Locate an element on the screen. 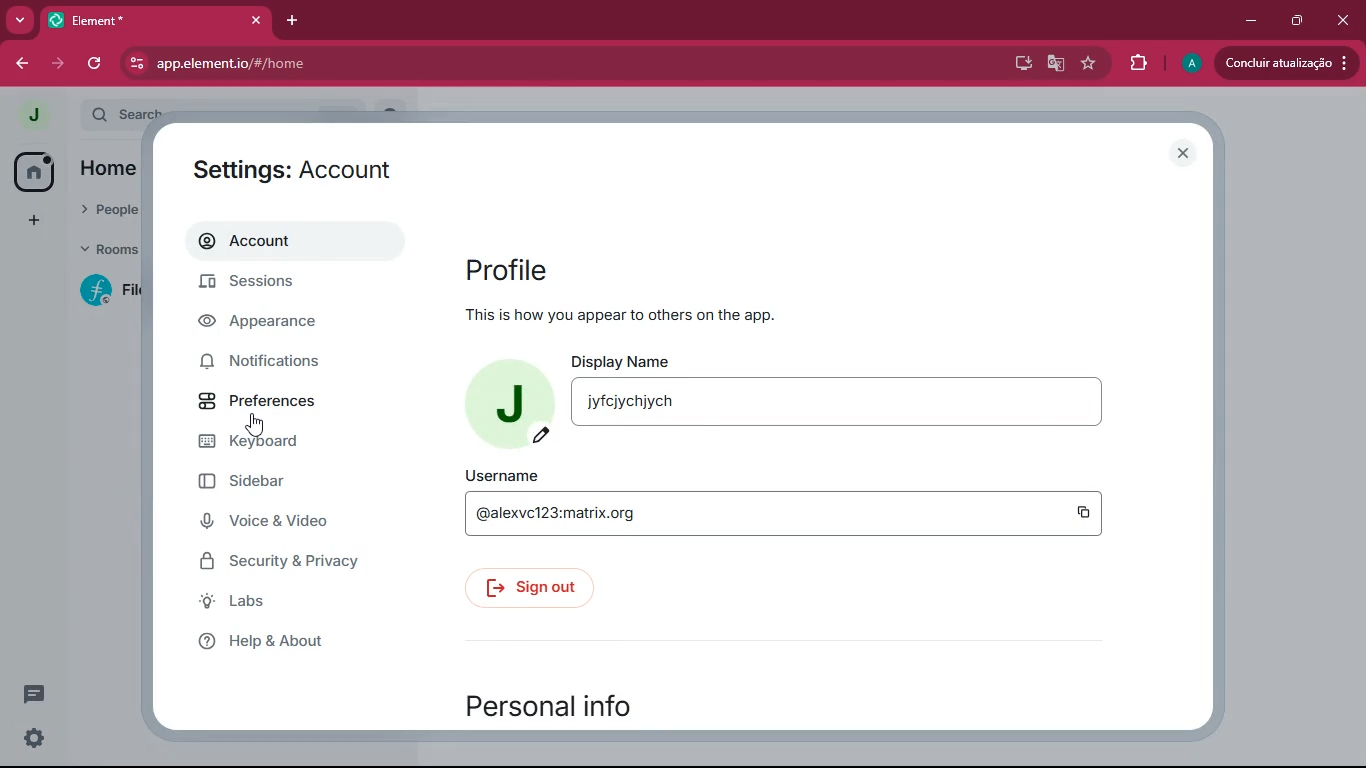  people is located at coordinates (108, 211).